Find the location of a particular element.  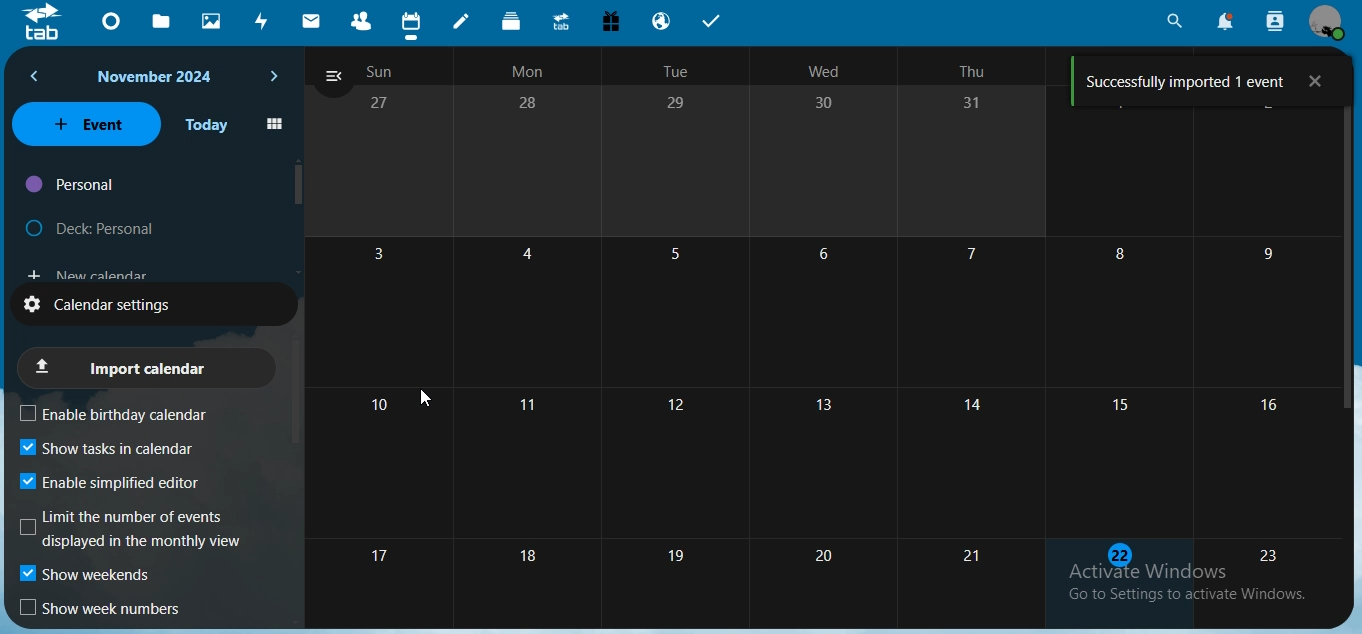

mail is located at coordinates (314, 19).